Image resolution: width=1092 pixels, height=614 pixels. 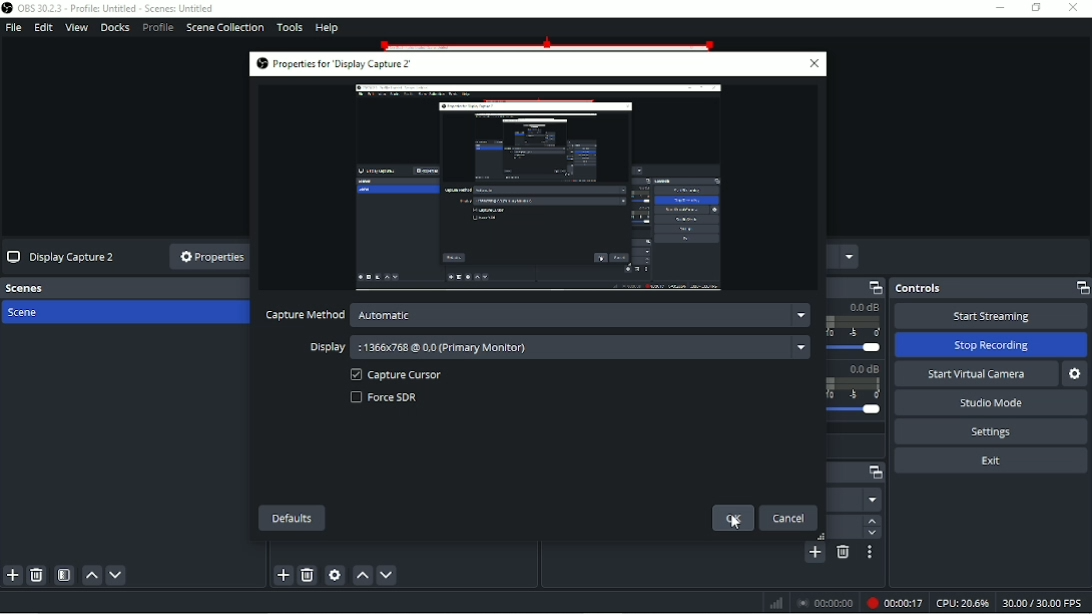 What do you see at coordinates (321, 347) in the screenshot?
I see `Display` at bounding box center [321, 347].